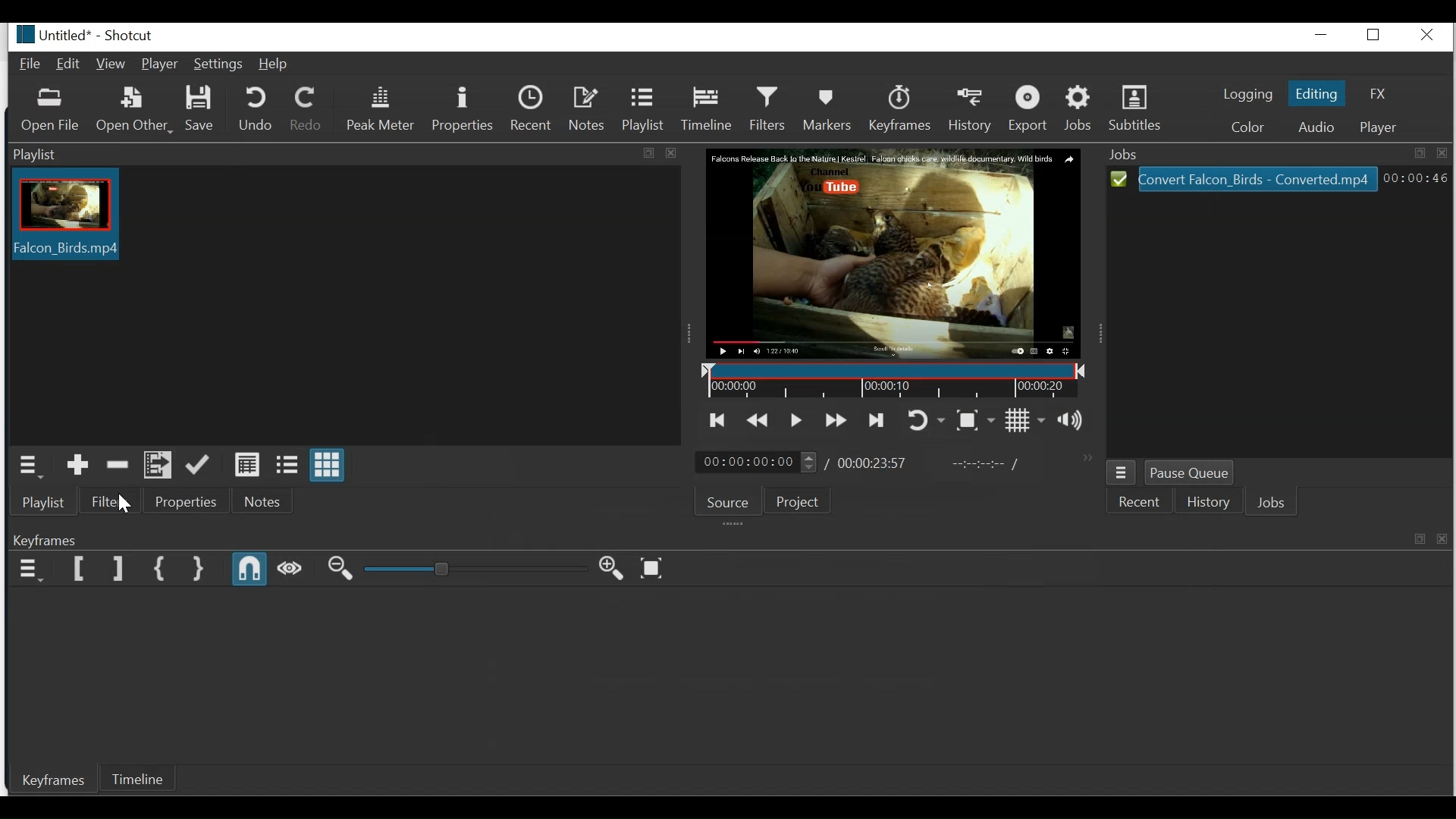  I want to click on Save, so click(201, 108).